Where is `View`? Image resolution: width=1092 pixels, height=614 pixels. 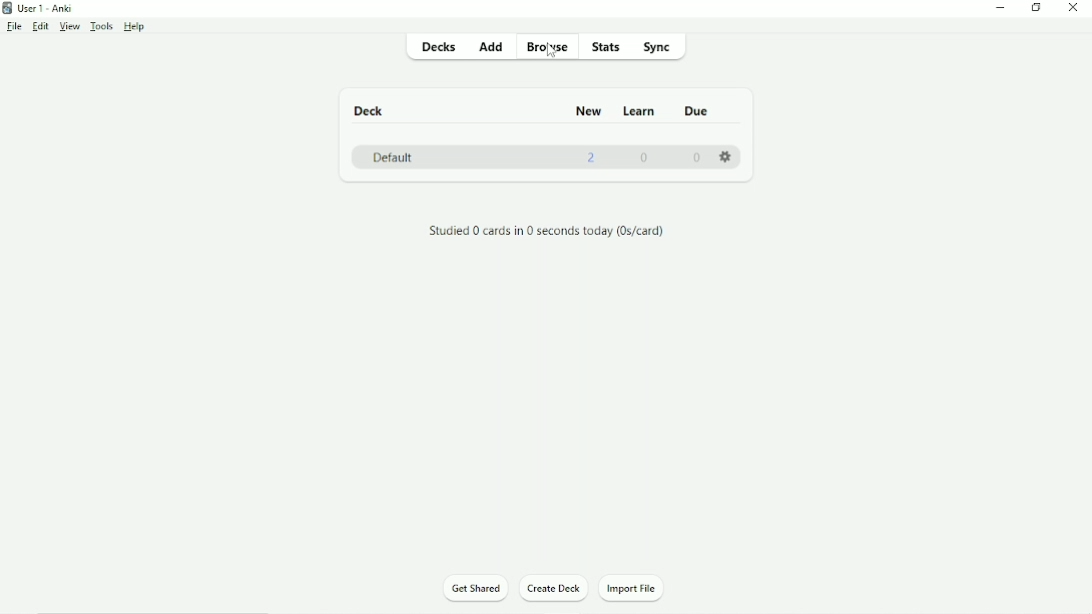 View is located at coordinates (69, 27).